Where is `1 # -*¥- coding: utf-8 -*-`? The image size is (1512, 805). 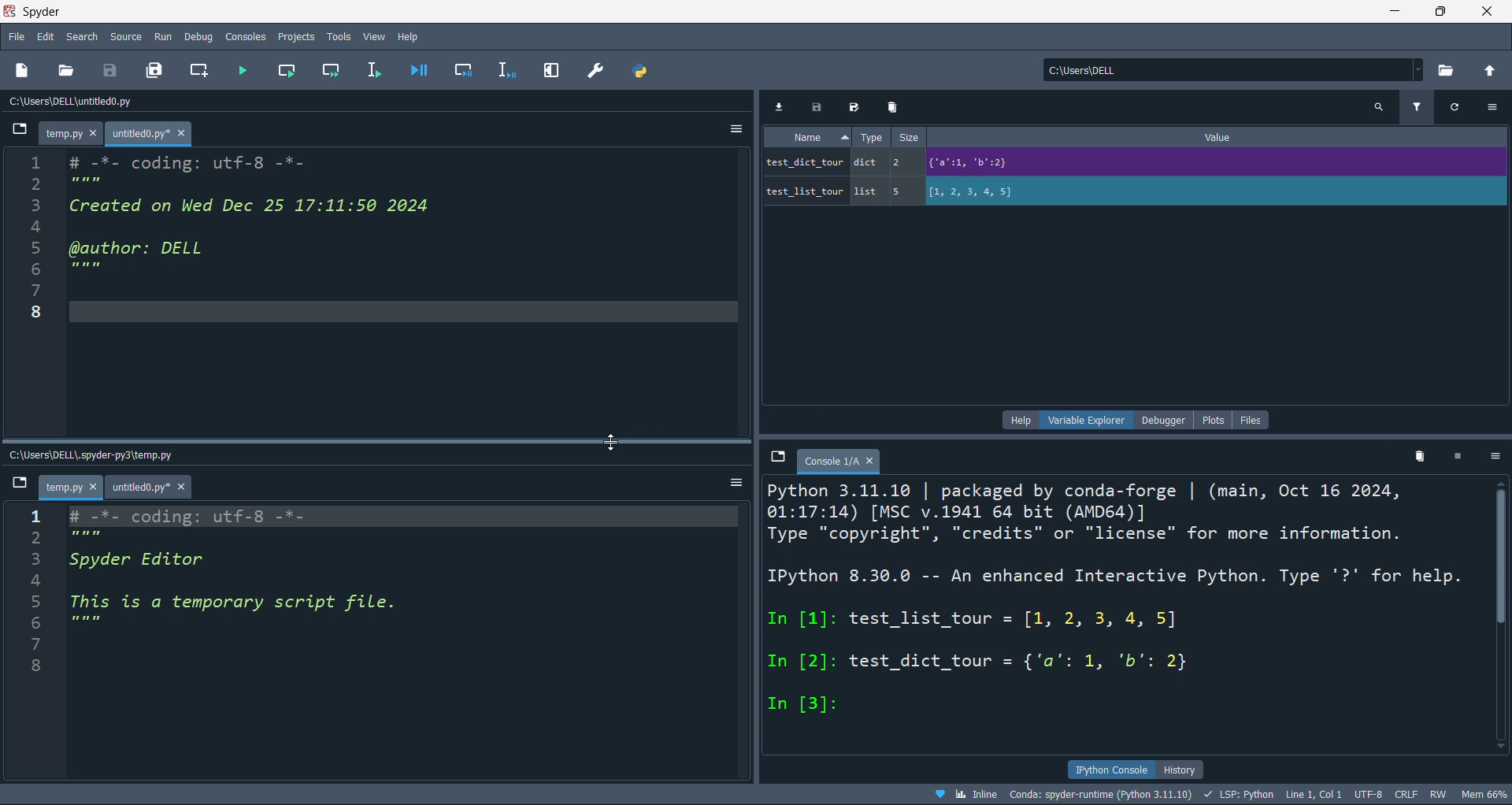 1 # -*¥- coding: utf-8 -*- is located at coordinates (202, 515).